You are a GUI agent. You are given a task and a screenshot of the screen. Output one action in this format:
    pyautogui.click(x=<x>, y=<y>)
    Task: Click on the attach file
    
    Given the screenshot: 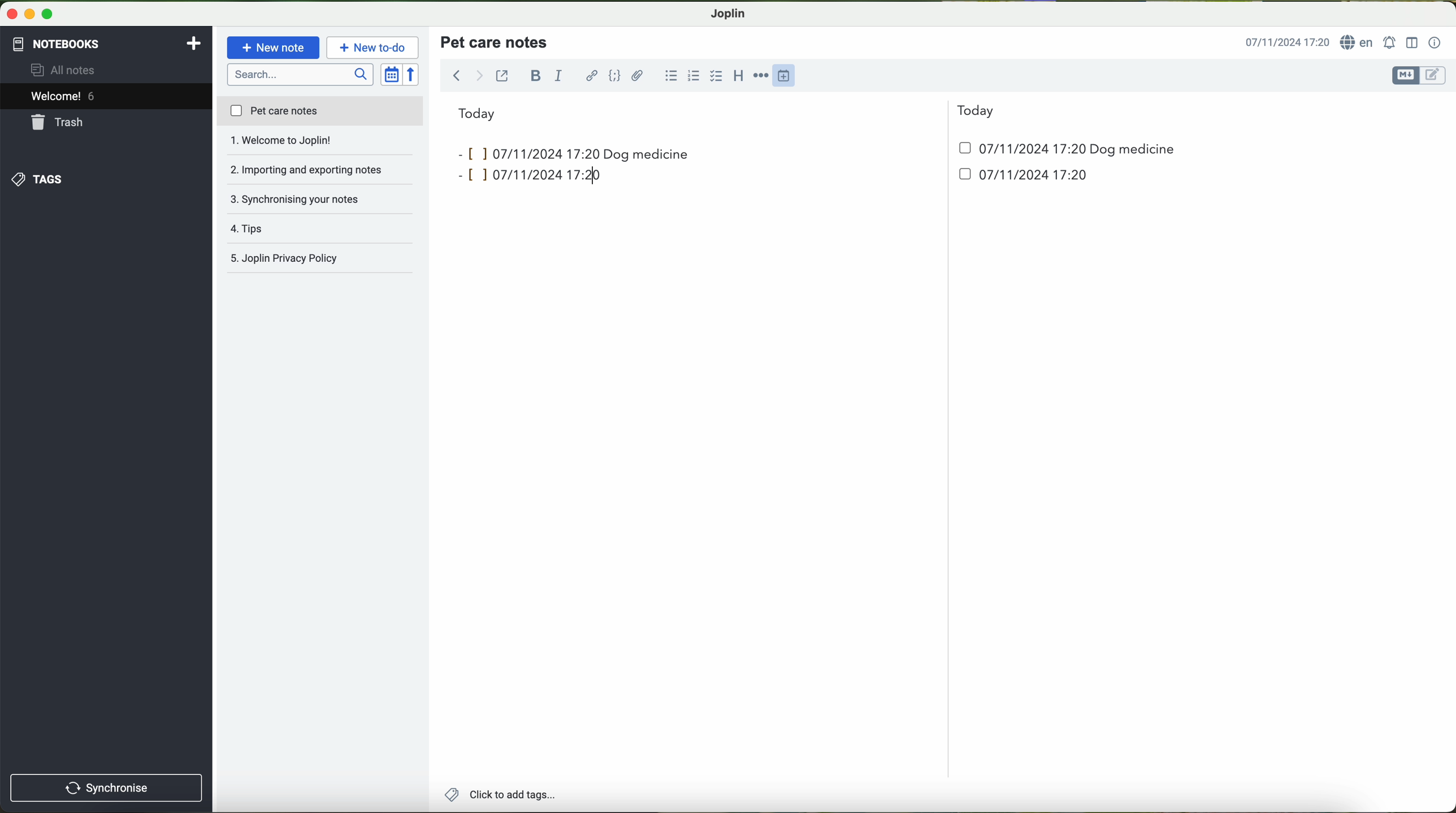 What is the action you would take?
    pyautogui.click(x=638, y=75)
    